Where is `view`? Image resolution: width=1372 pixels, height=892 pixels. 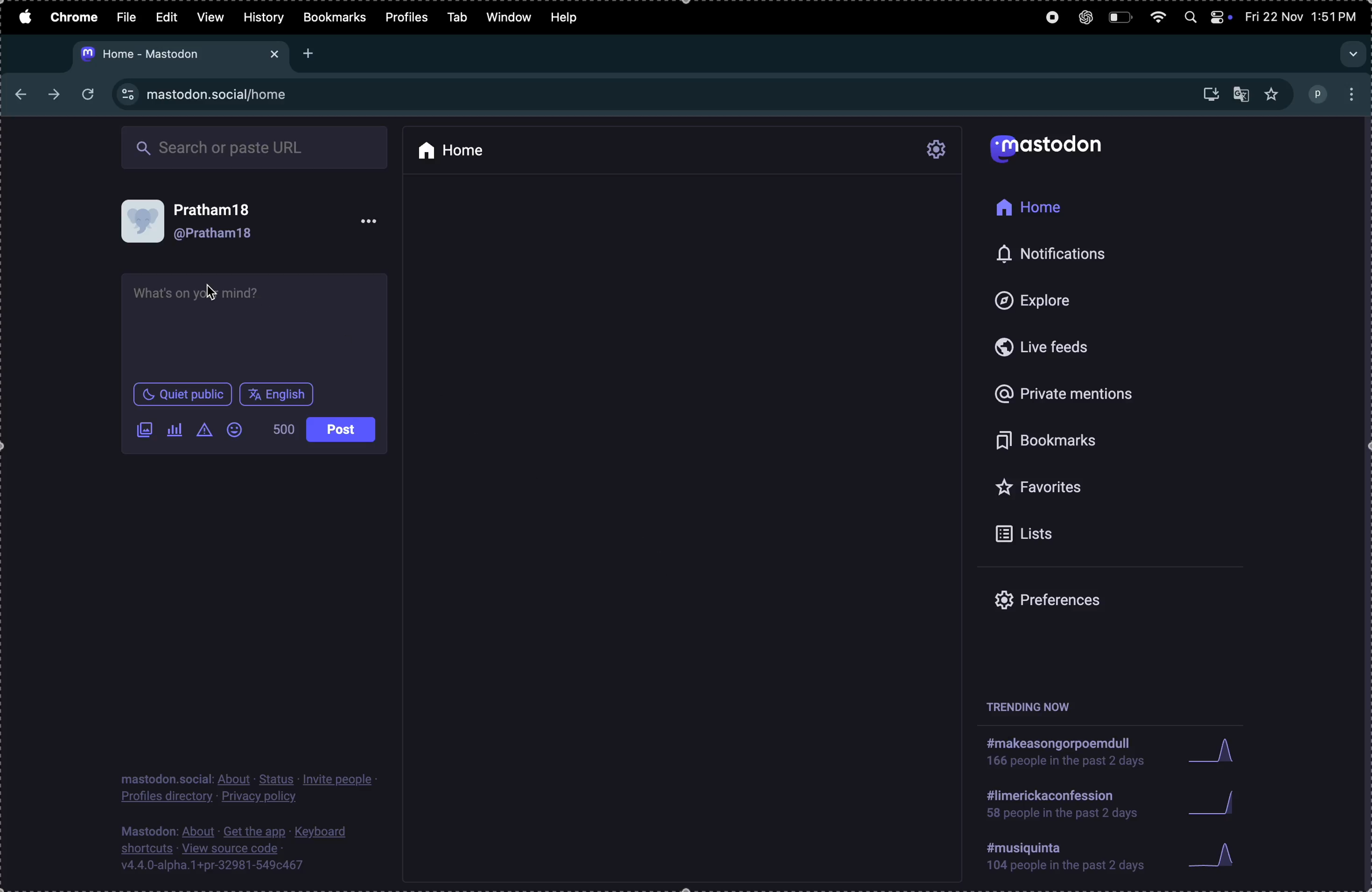 view is located at coordinates (211, 16).